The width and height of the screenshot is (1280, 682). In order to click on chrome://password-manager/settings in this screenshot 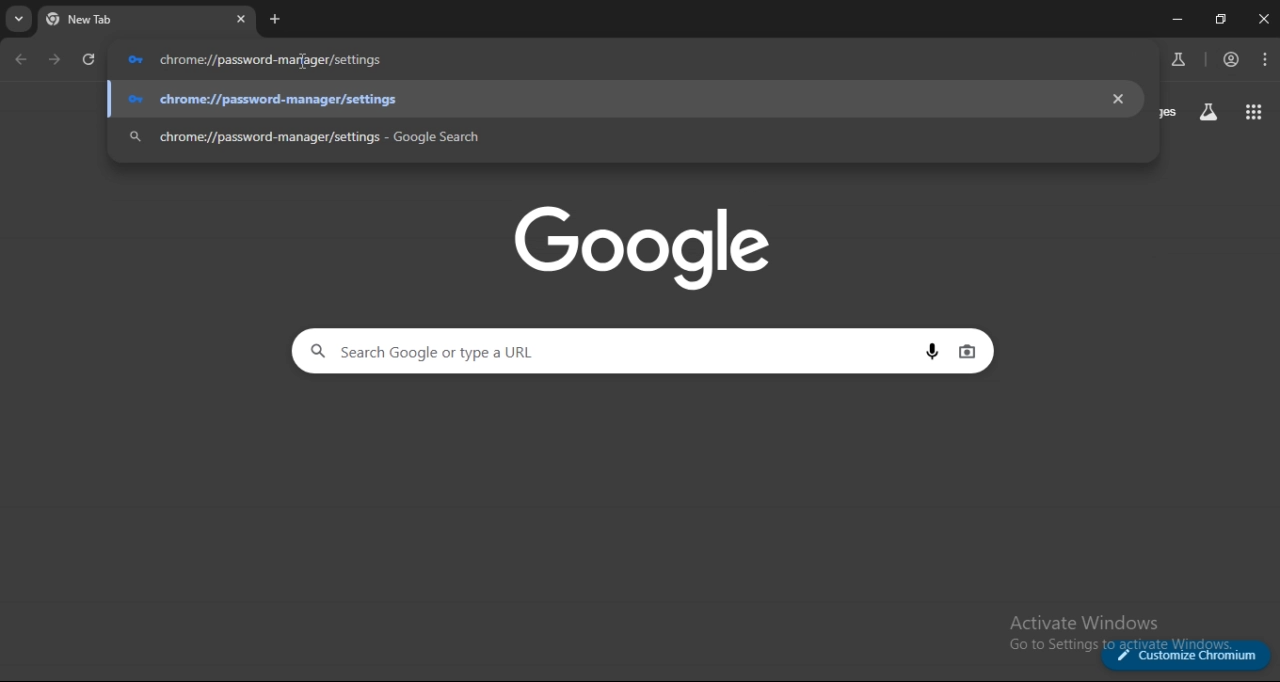, I will do `click(633, 59)`.